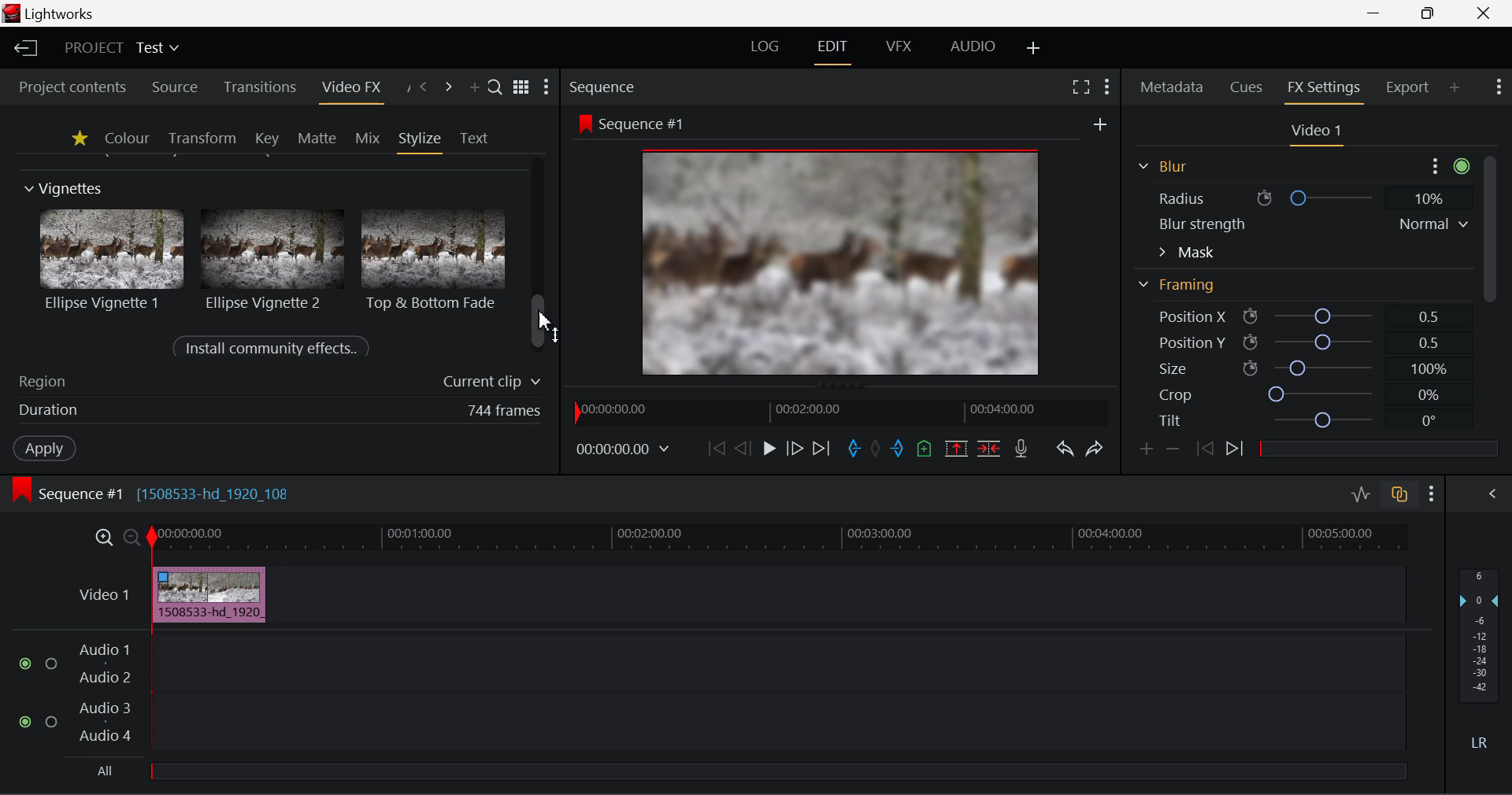  What do you see at coordinates (898, 445) in the screenshot?
I see `Mark Out` at bounding box center [898, 445].